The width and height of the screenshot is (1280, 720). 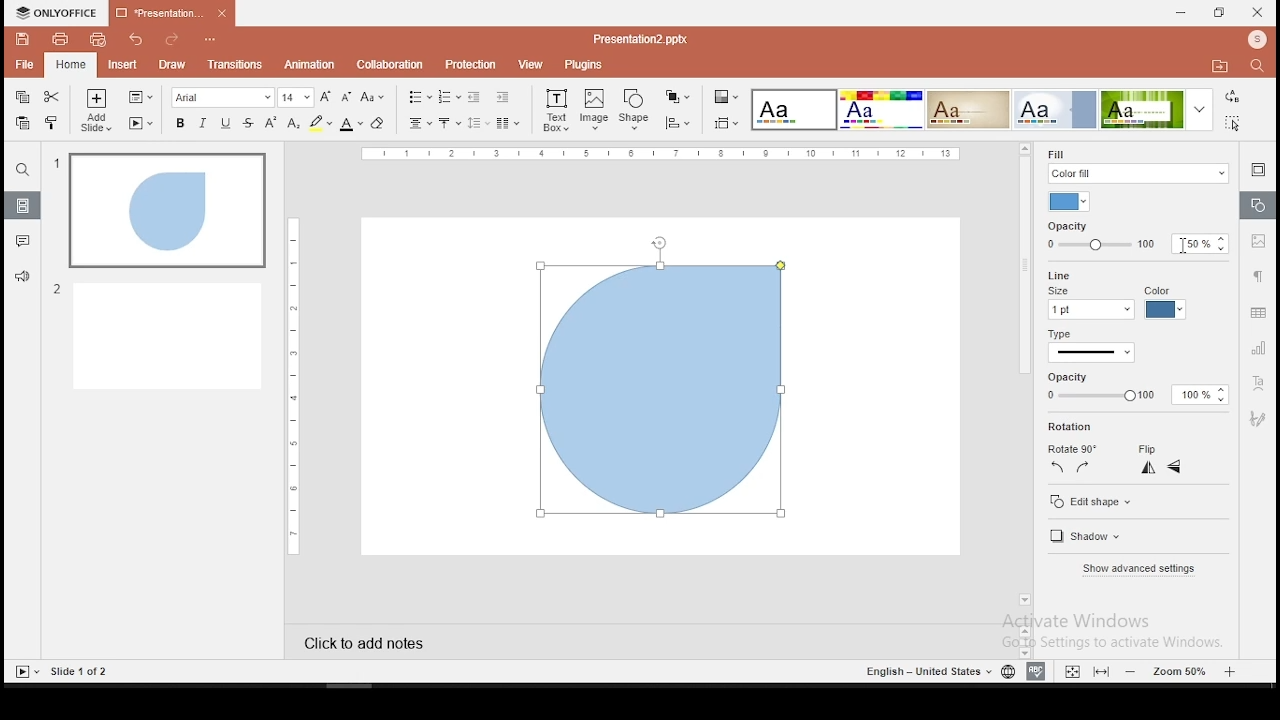 What do you see at coordinates (167, 211) in the screenshot?
I see `slide 1` at bounding box center [167, 211].